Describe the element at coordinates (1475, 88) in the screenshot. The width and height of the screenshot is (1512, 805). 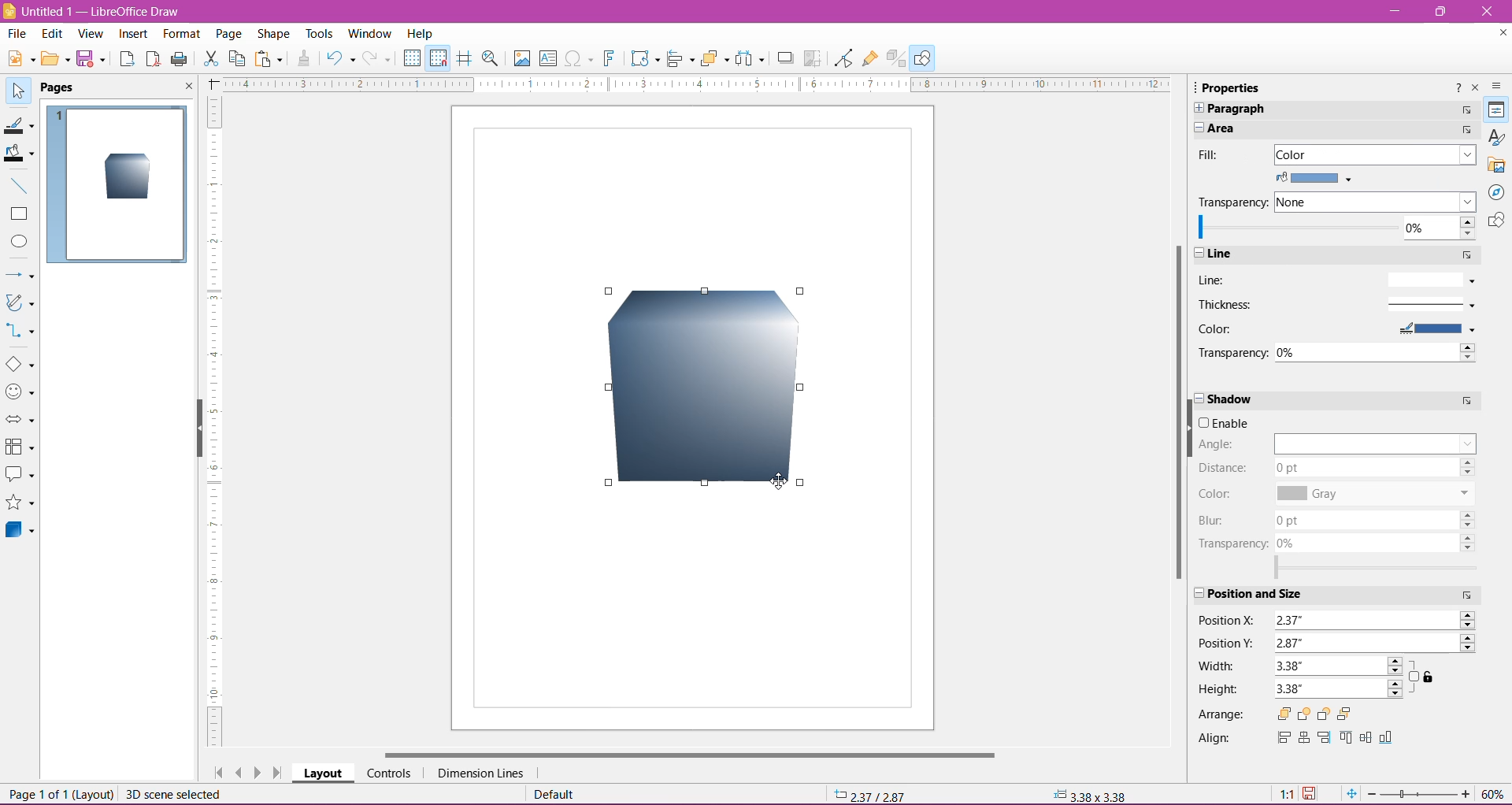
I see `Close Sidebar Deck` at that location.